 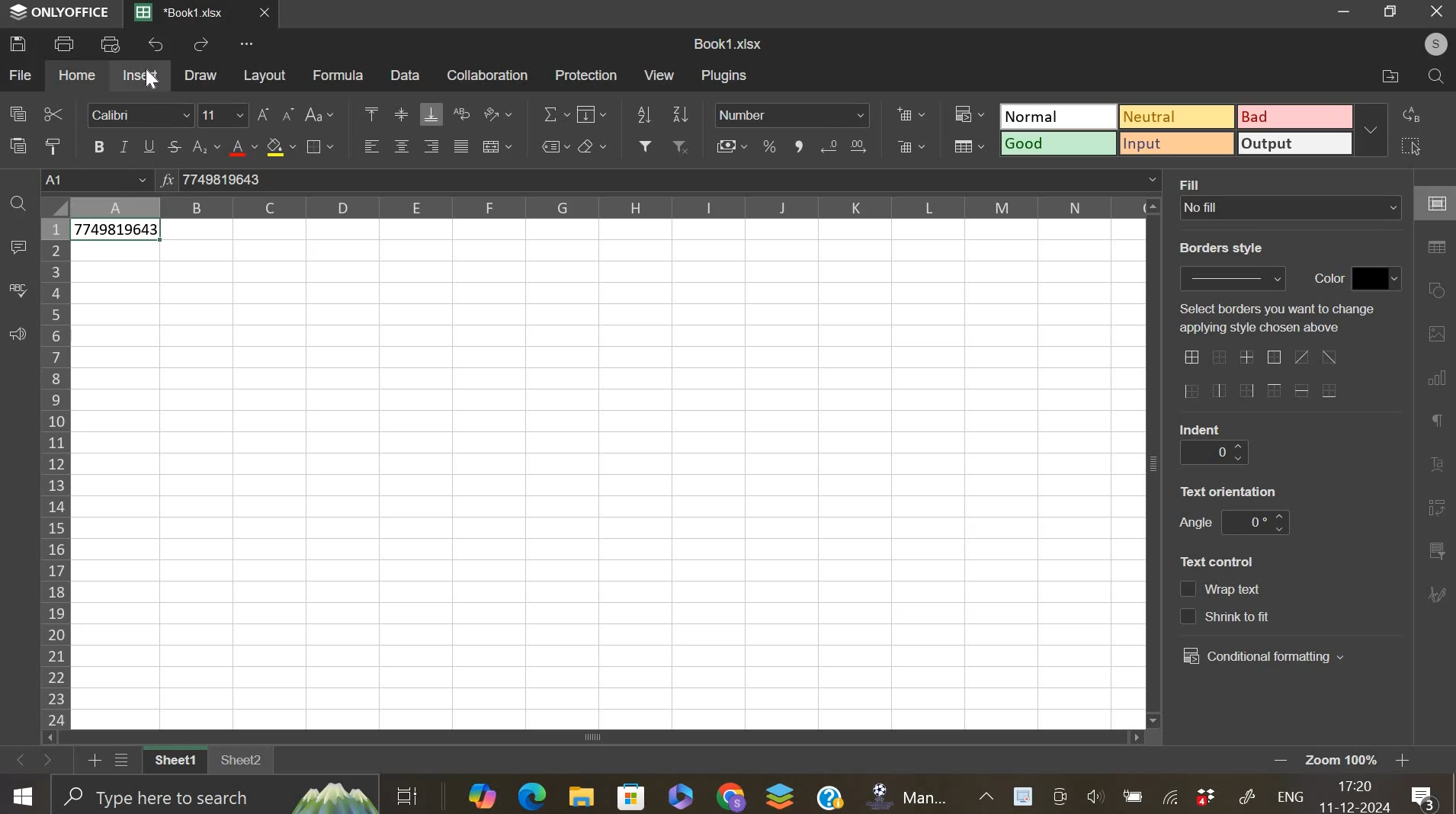 What do you see at coordinates (17, 335) in the screenshot?
I see `feedback` at bounding box center [17, 335].